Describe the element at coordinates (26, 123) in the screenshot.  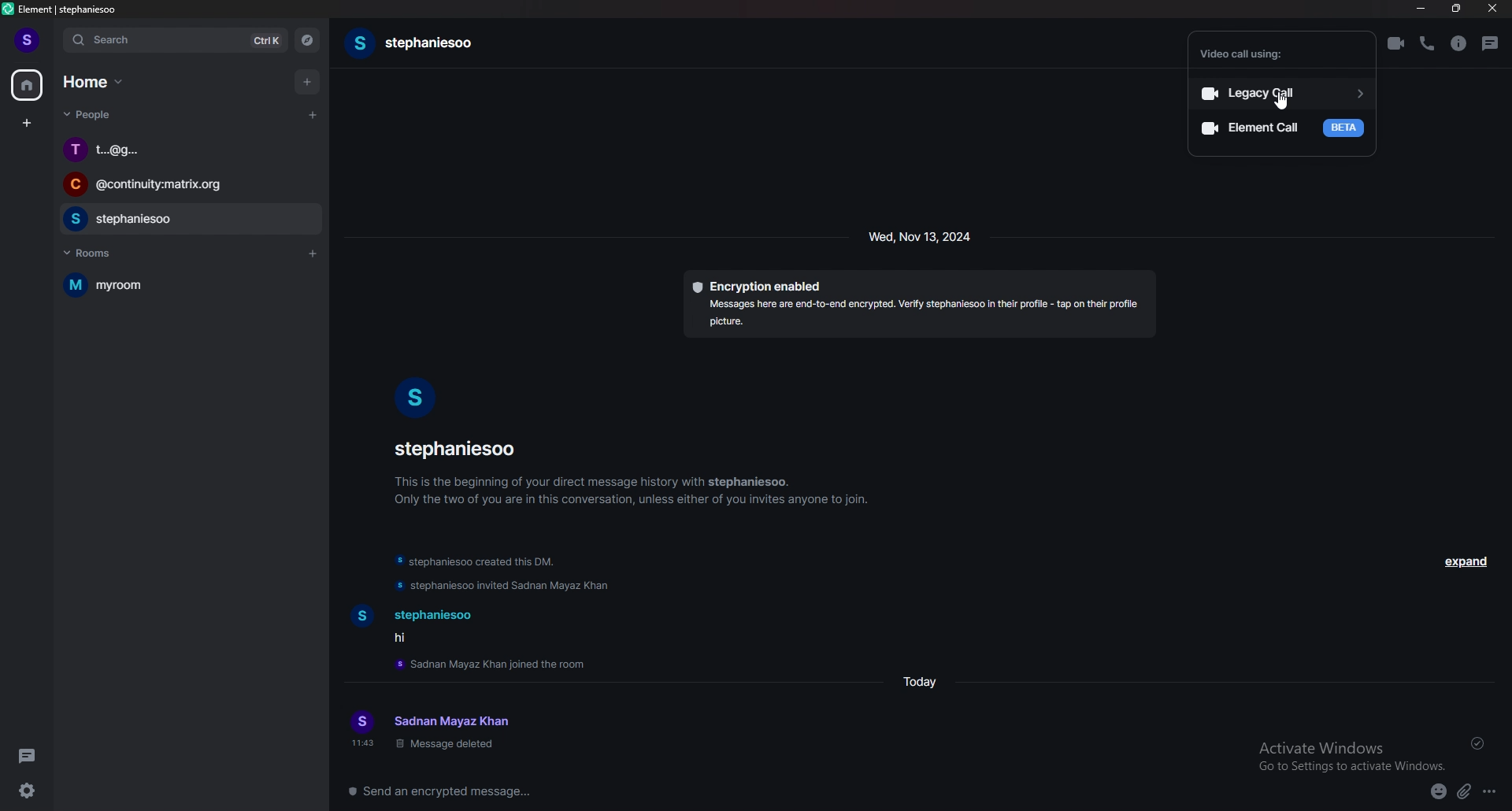
I see `create space` at that location.